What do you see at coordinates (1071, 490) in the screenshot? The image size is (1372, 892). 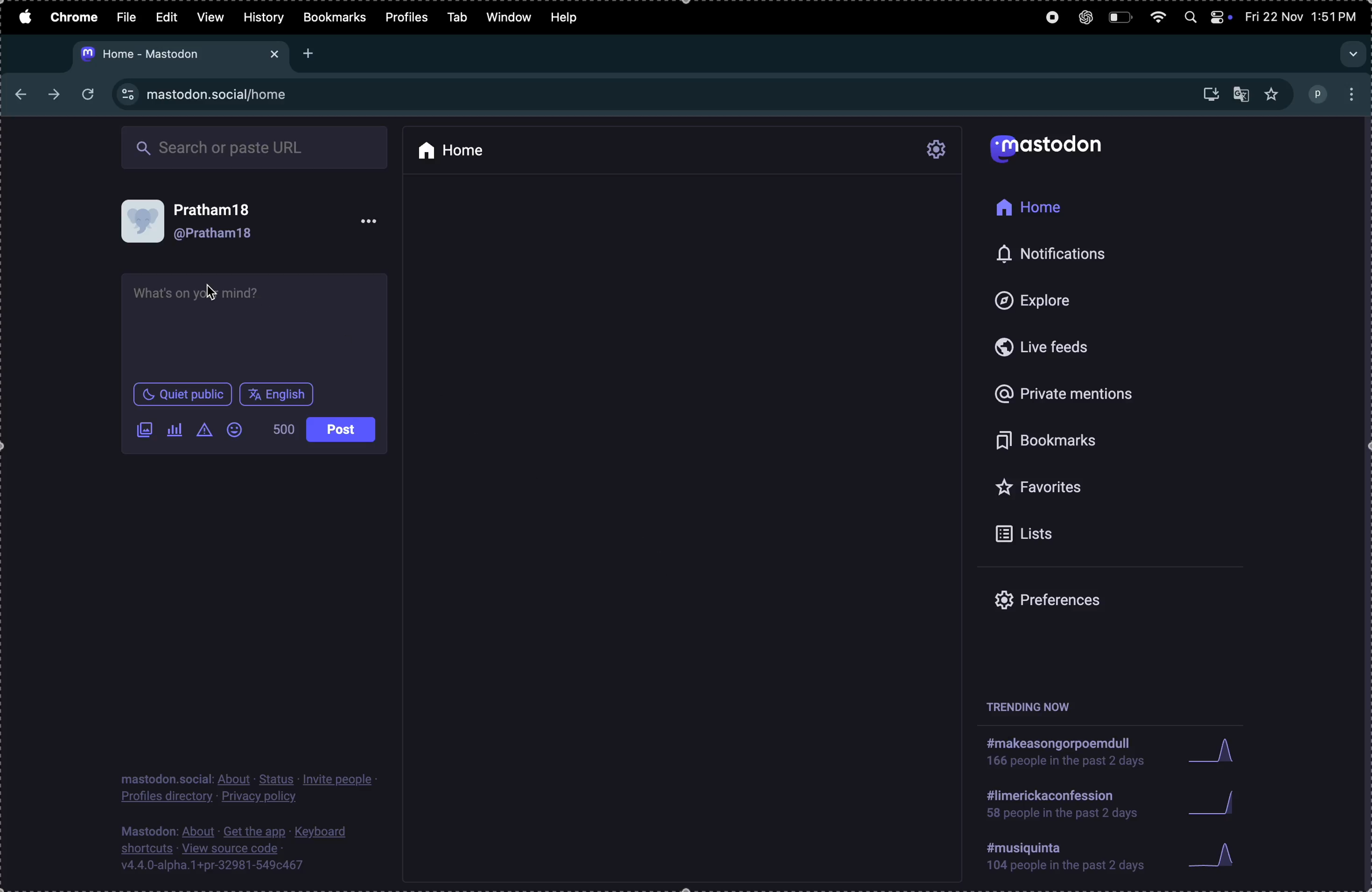 I see `favourites` at bounding box center [1071, 490].